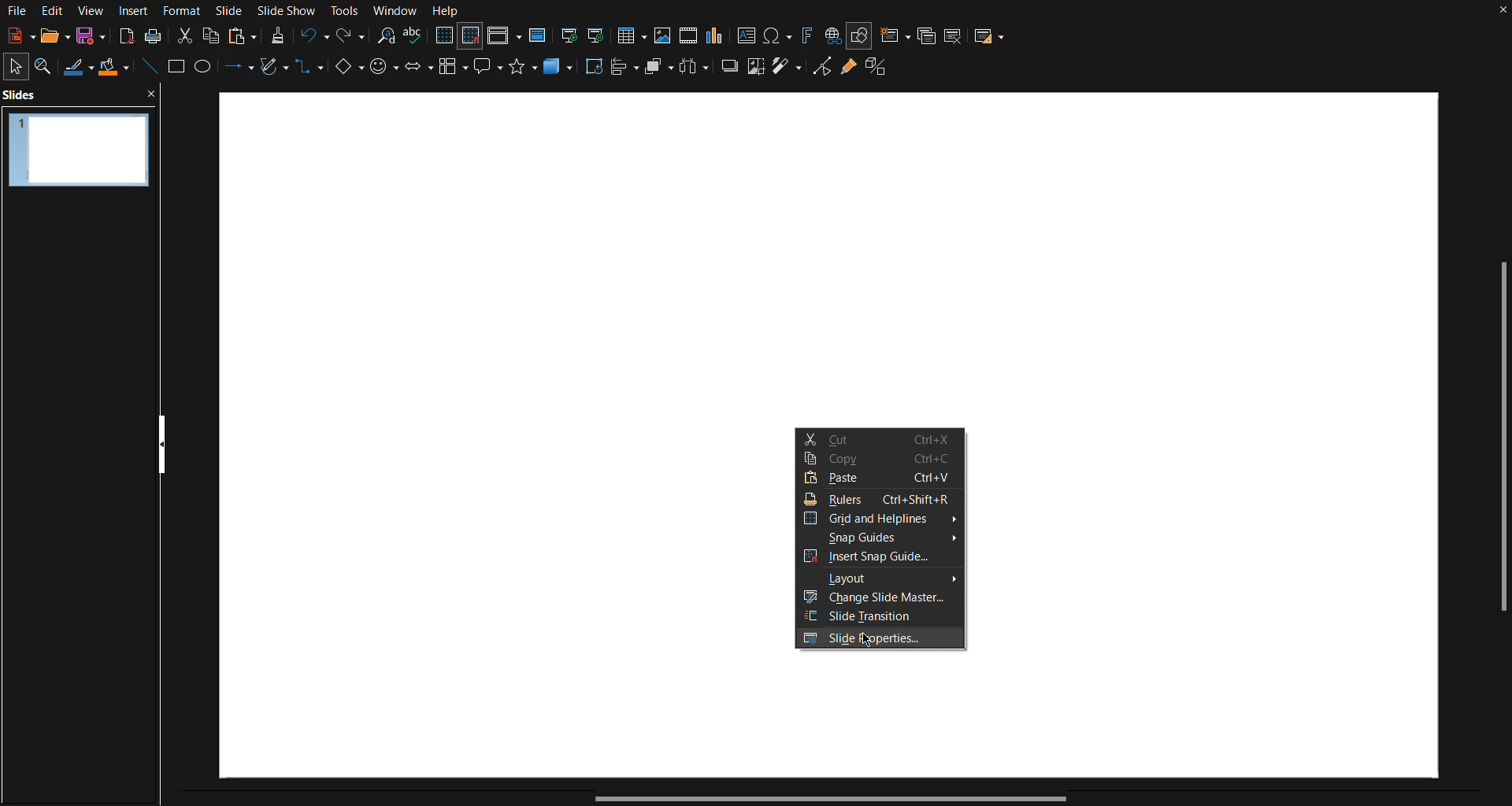 The width and height of the screenshot is (1512, 806). I want to click on Window, so click(395, 11).